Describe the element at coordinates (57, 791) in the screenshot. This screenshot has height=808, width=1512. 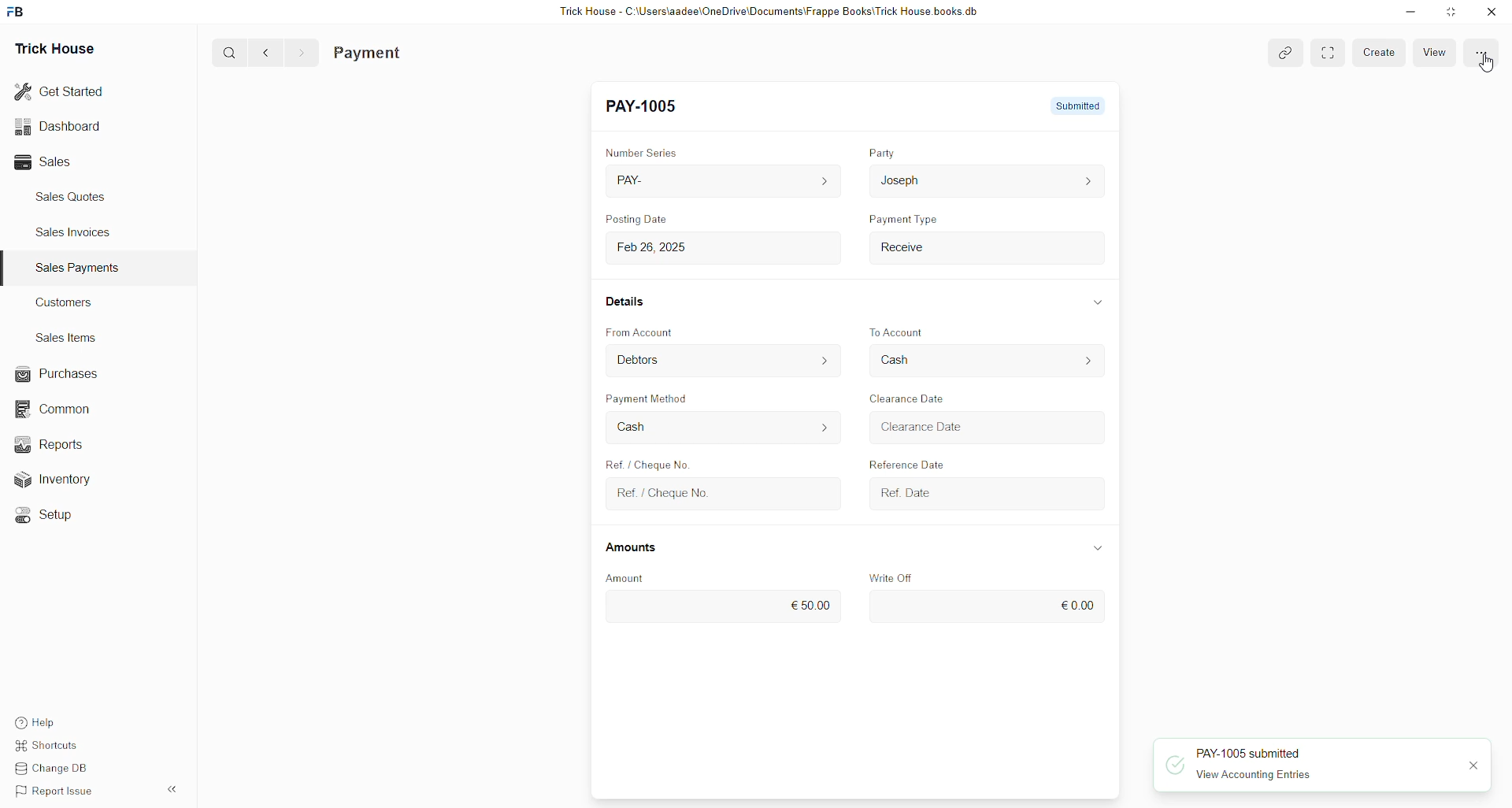
I see `Report Issue` at that location.